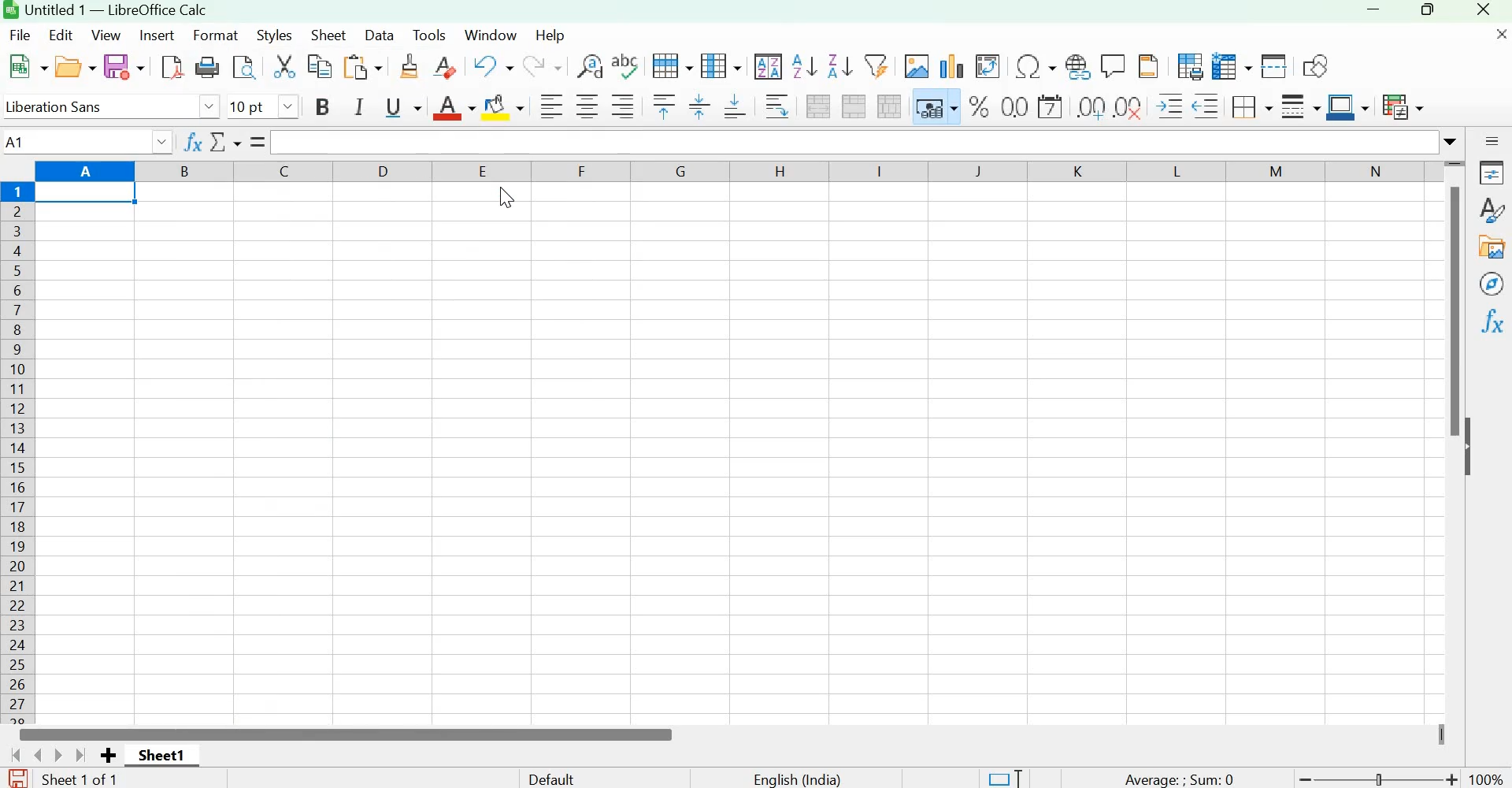 This screenshot has height=788, width=1512. What do you see at coordinates (551, 105) in the screenshot?
I see `Align left` at bounding box center [551, 105].